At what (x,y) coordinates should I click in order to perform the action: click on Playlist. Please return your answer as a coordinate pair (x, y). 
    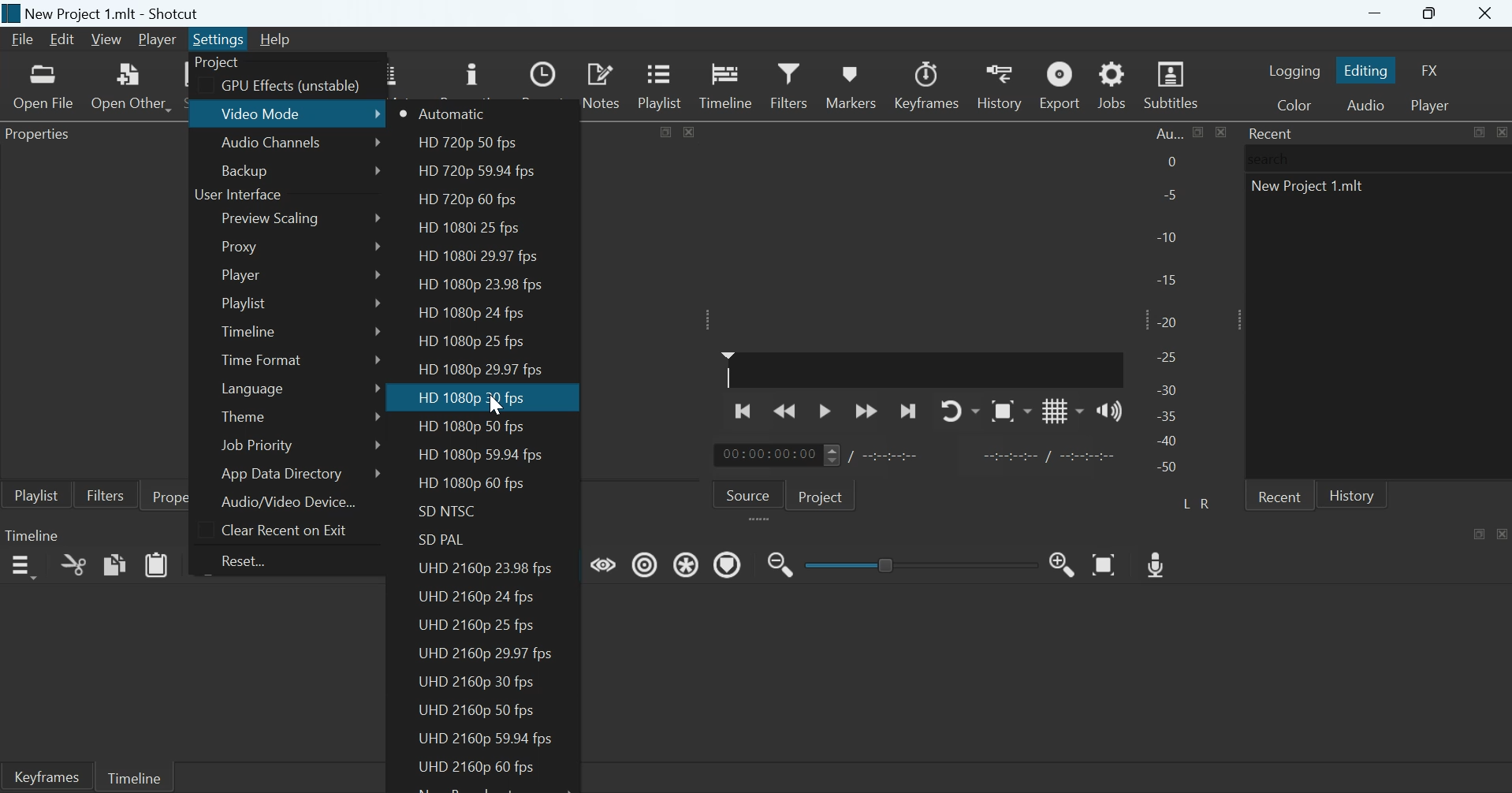
    Looking at the image, I should click on (36, 494).